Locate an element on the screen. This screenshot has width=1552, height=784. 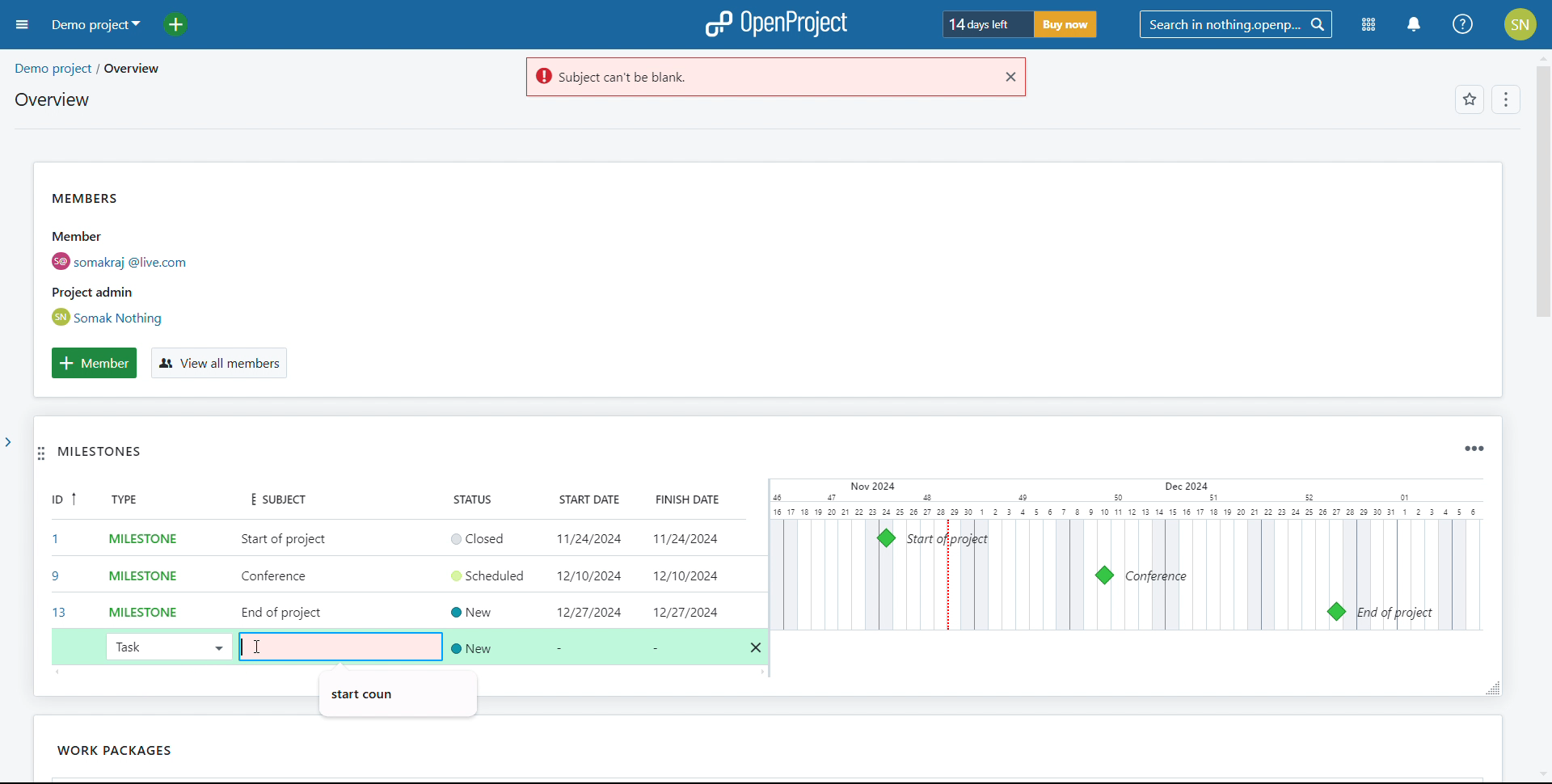
overview is located at coordinates (51, 99).